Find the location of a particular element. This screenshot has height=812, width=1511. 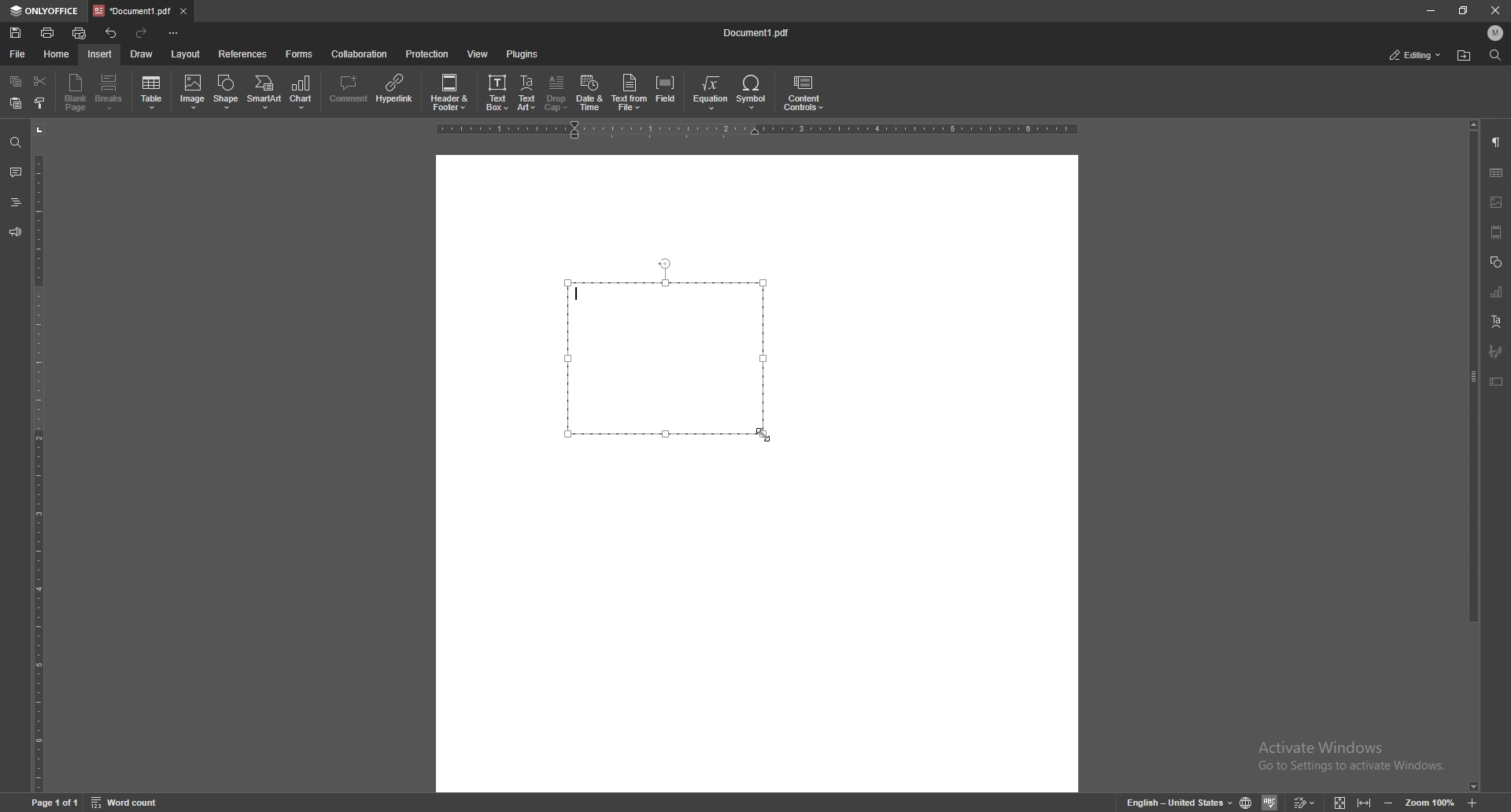

text box is located at coordinates (498, 91).